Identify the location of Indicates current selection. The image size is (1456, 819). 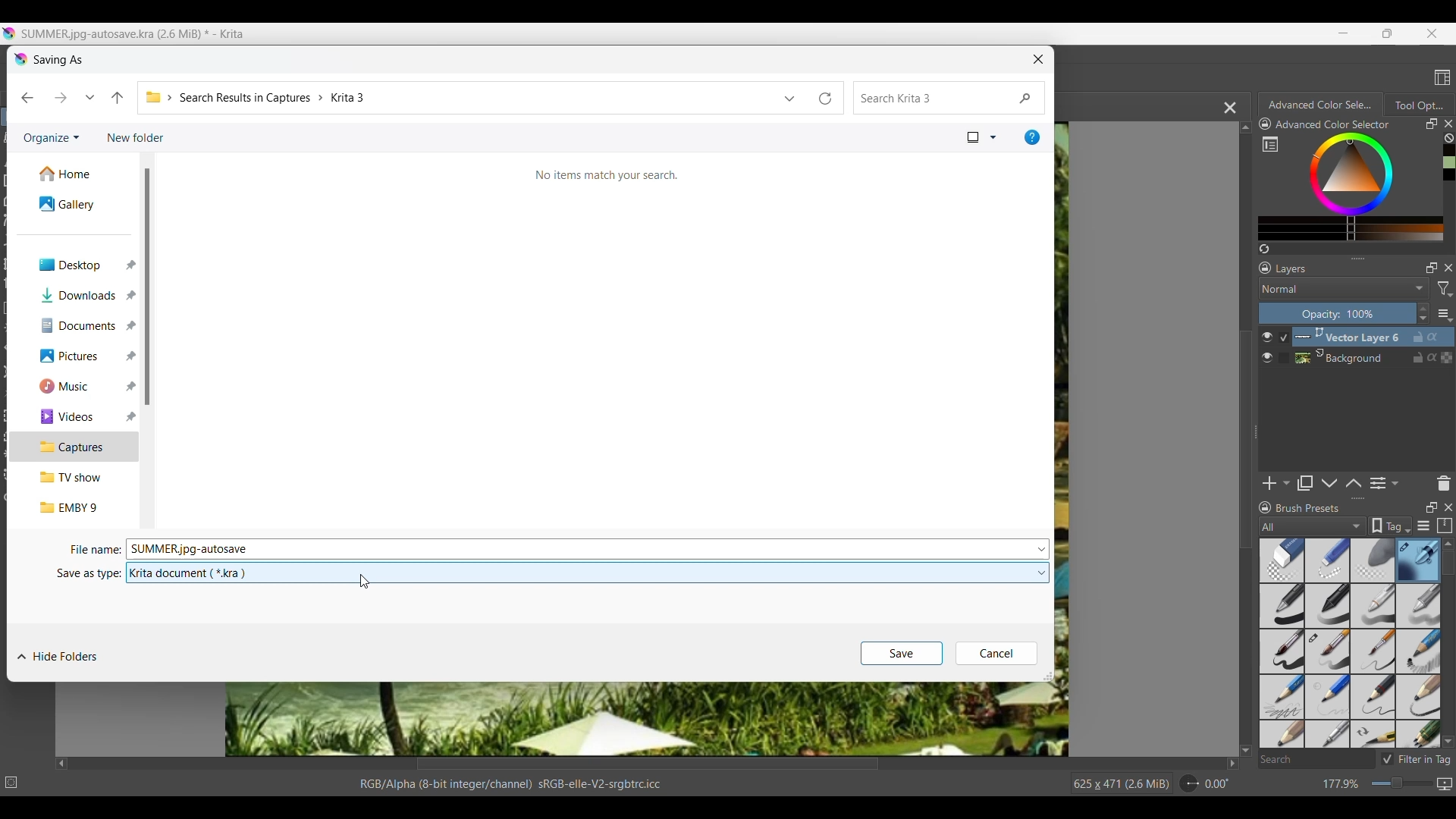
(1283, 347).